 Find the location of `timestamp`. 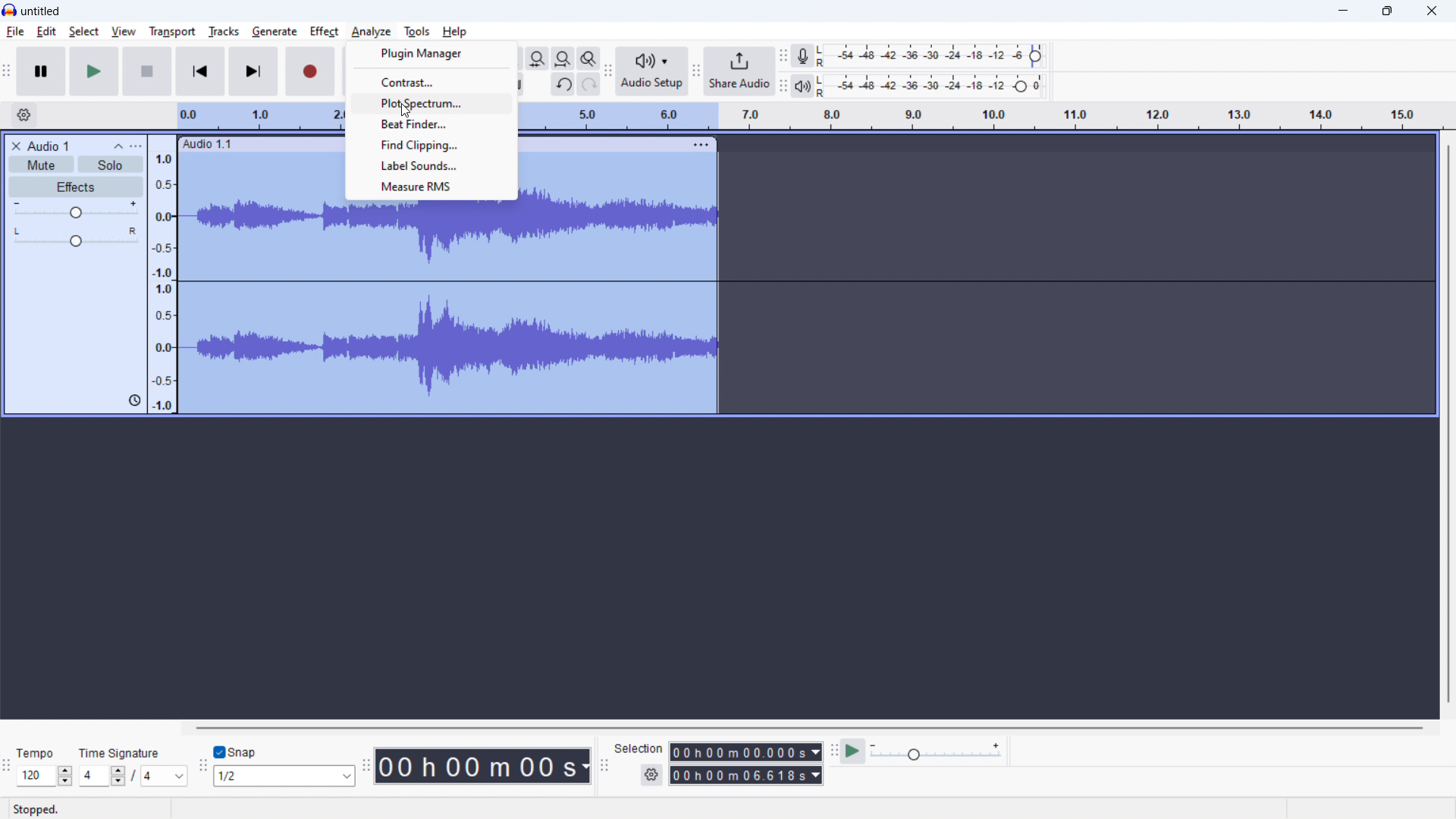

timestamp is located at coordinates (484, 767).